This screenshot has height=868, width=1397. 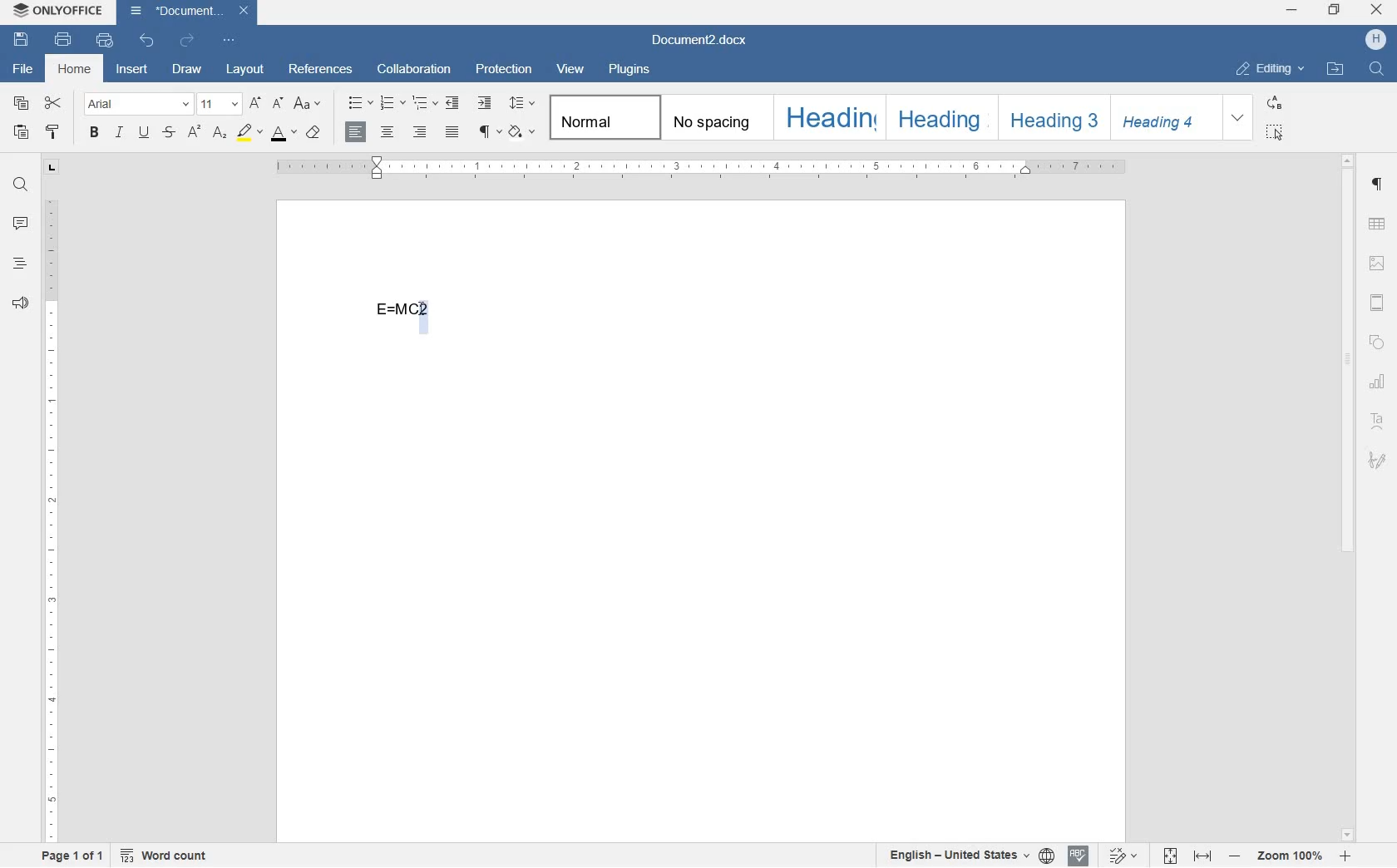 I want to click on signature, so click(x=1379, y=462).